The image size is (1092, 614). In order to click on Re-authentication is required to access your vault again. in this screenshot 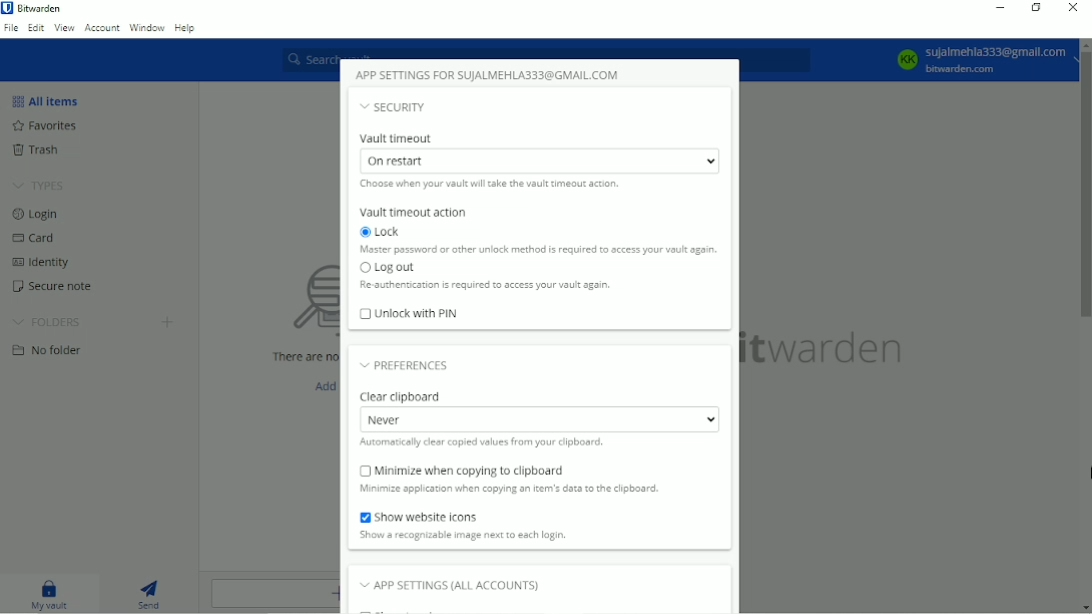, I will do `click(483, 286)`.